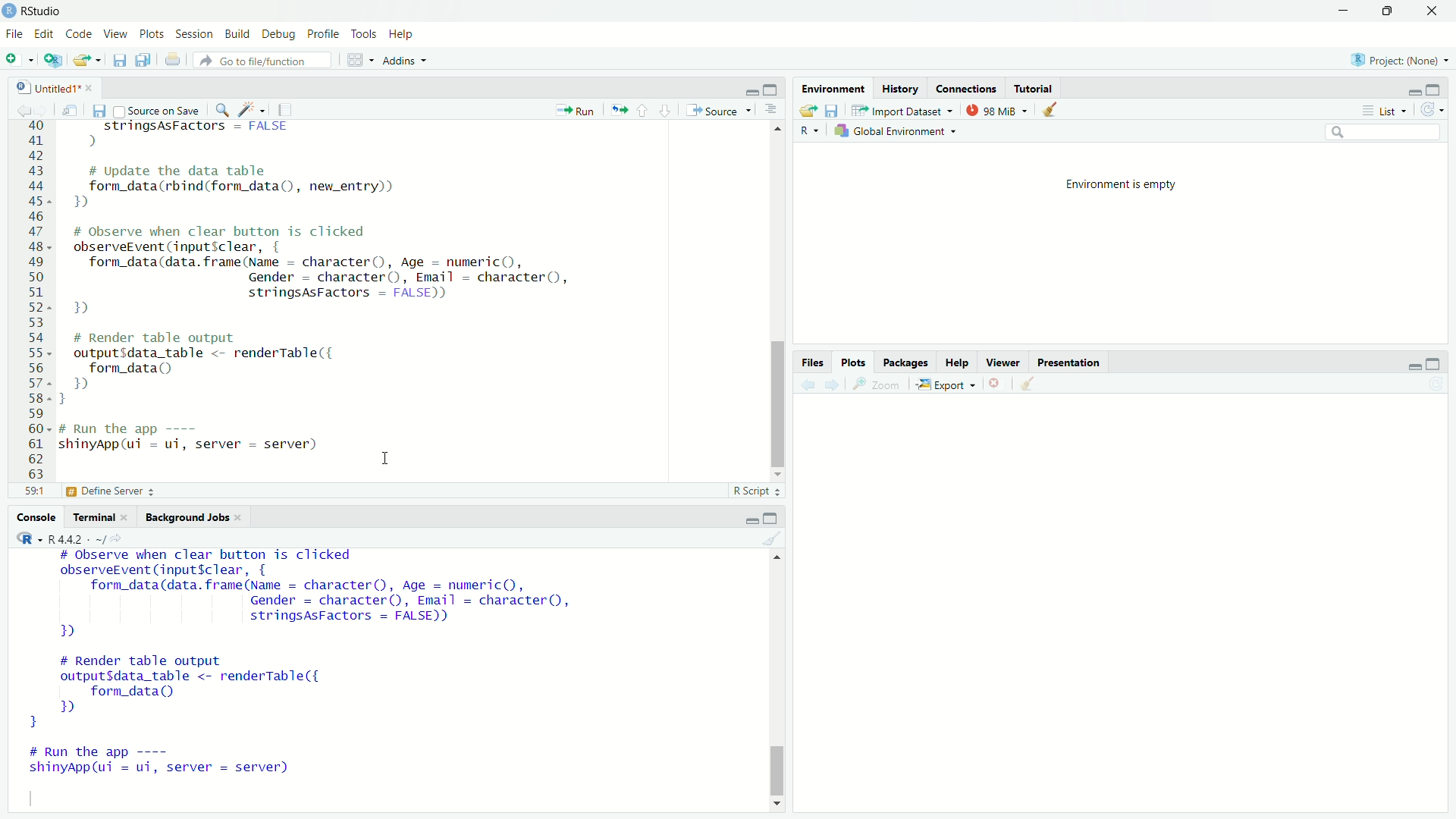 This screenshot has width=1456, height=819. Describe the element at coordinates (776, 804) in the screenshot. I see `move down` at that location.